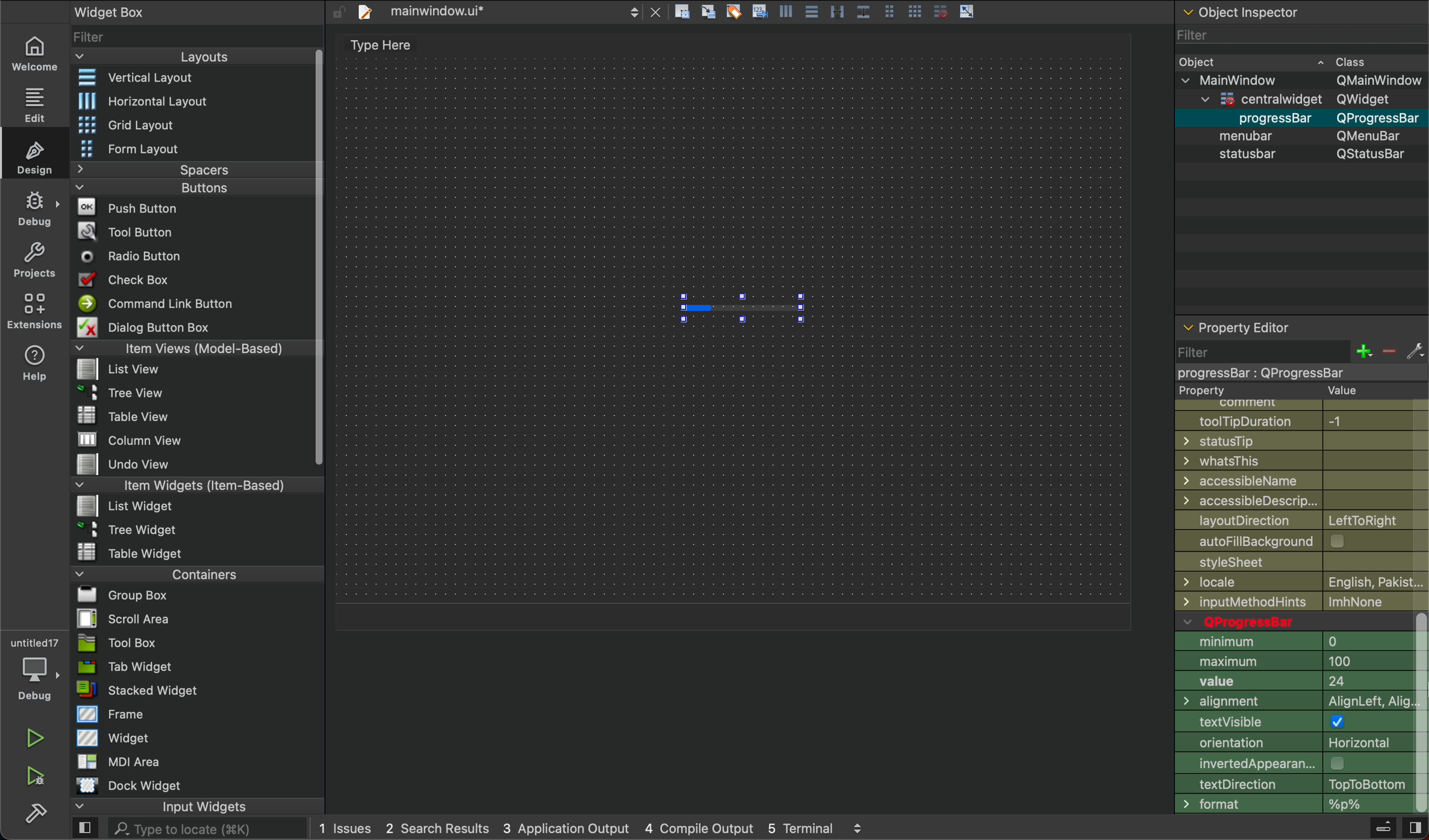  What do you see at coordinates (1300, 12) in the screenshot?
I see `object inspector` at bounding box center [1300, 12].